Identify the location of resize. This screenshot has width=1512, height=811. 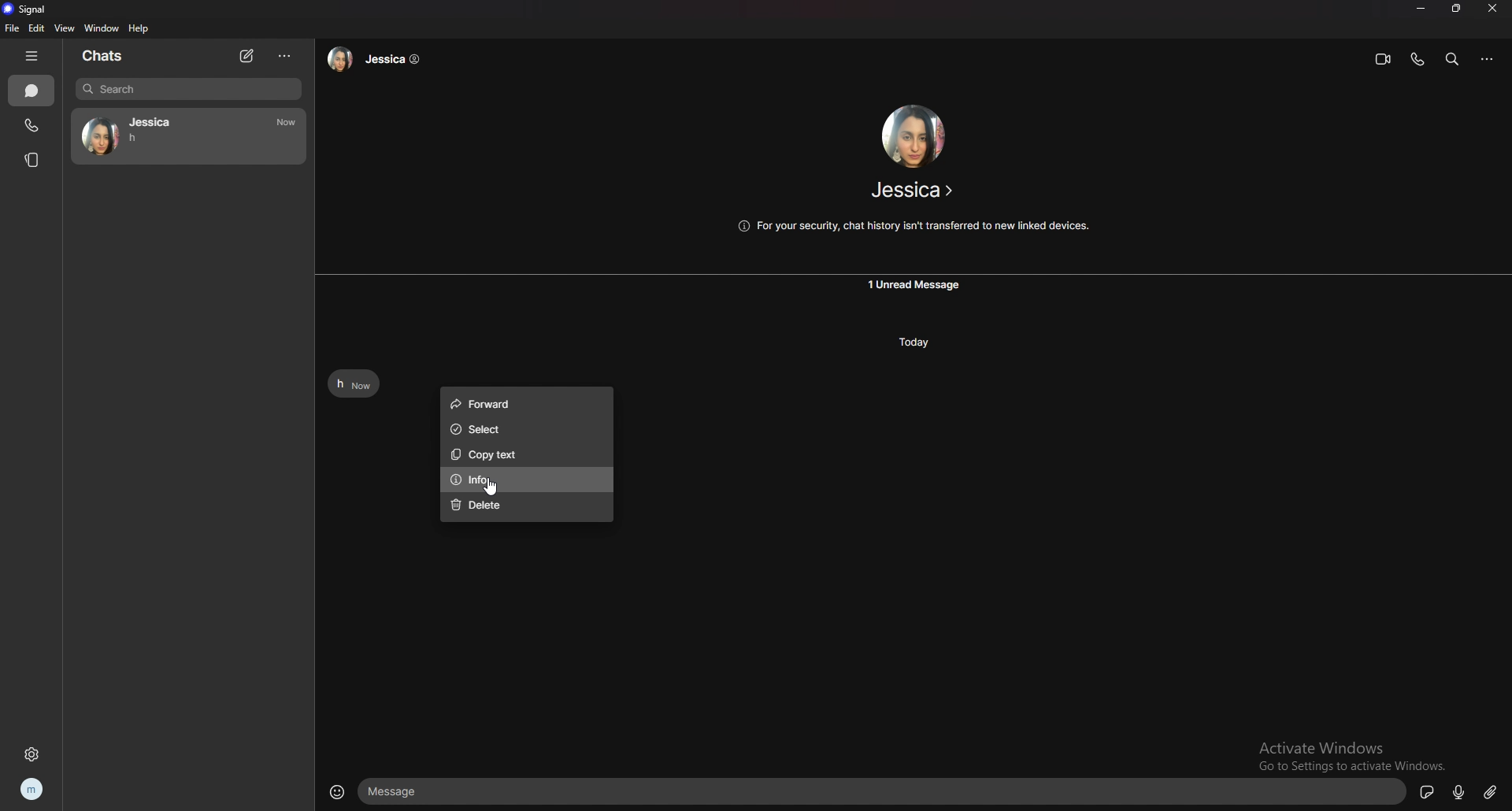
(1455, 9).